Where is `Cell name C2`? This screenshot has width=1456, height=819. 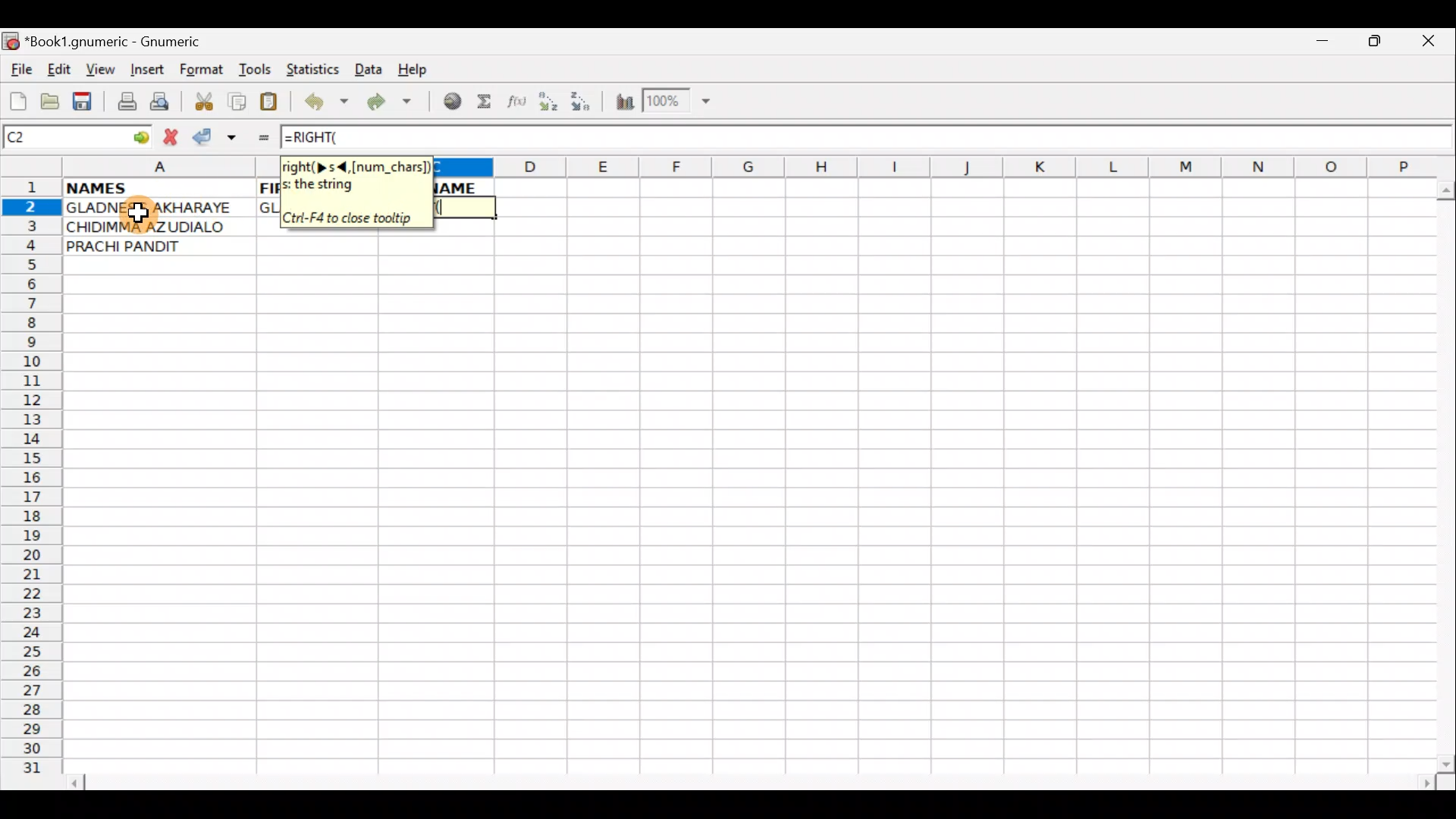
Cell name C2 is located at coordinates (61, 138).